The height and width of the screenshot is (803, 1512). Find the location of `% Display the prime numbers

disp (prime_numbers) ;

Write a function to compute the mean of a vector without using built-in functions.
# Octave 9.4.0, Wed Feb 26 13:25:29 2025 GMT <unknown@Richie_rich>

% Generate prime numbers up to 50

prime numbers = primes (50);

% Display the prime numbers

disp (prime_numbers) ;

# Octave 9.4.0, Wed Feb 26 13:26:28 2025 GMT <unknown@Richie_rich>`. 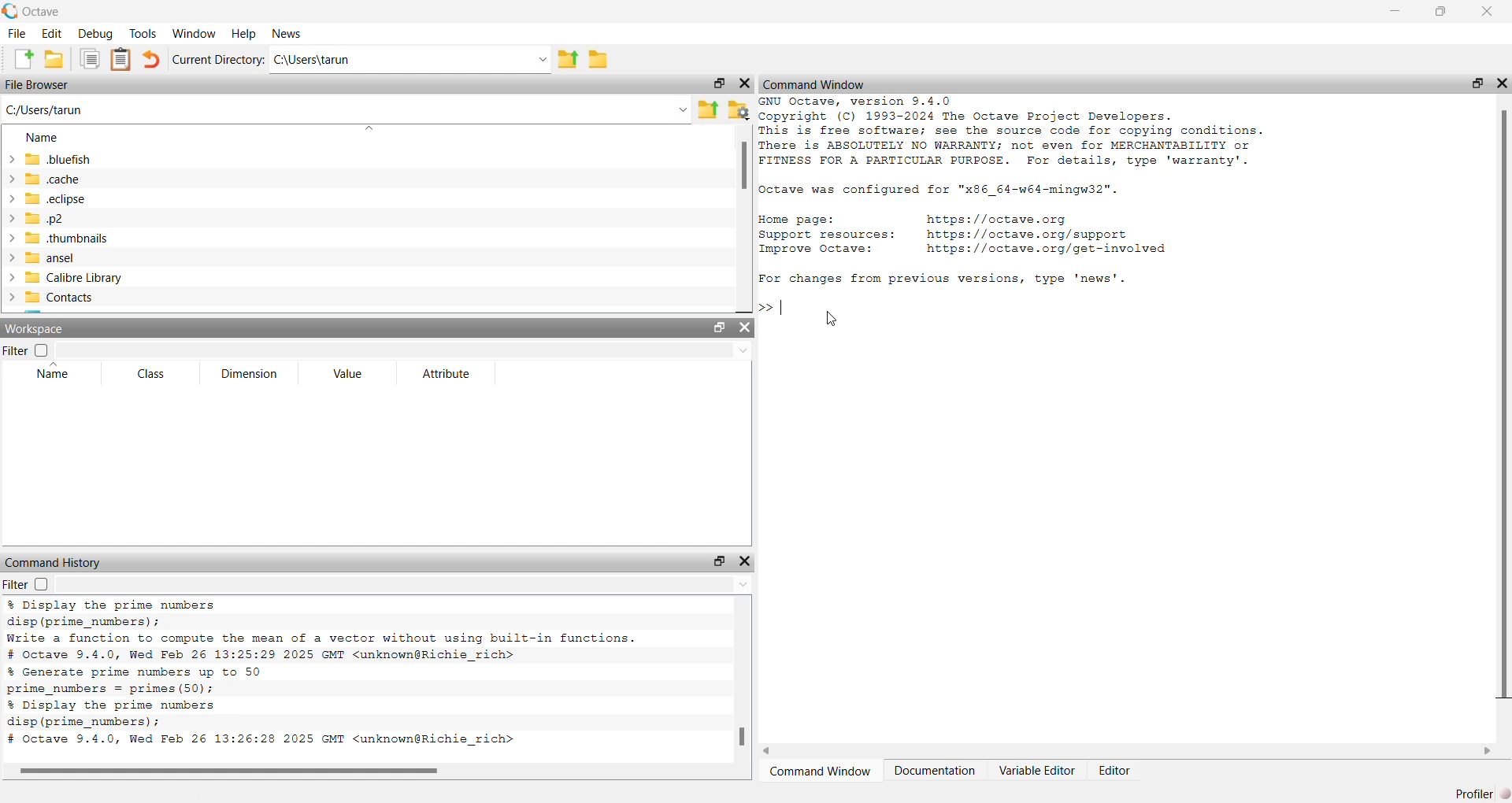

% Display the prime numbers

disp (prime_numbers) ;

Write a function to compute the mean of a vector without using built-in functions.
# Octave 9.4.0, Wed Feb 26 13:25:29 2025 GMT <unknown@Richie_rich>

% Generate prime numbers up to 50

prime numbers = primes (50);

% Display the prime numbers

disp (prime_numbers) ;

# Octave 9.4.0, Wed Feb 26 13:26:28 2025 GMT <unknown@Richie_rich> is located at coordinates (326, 675).